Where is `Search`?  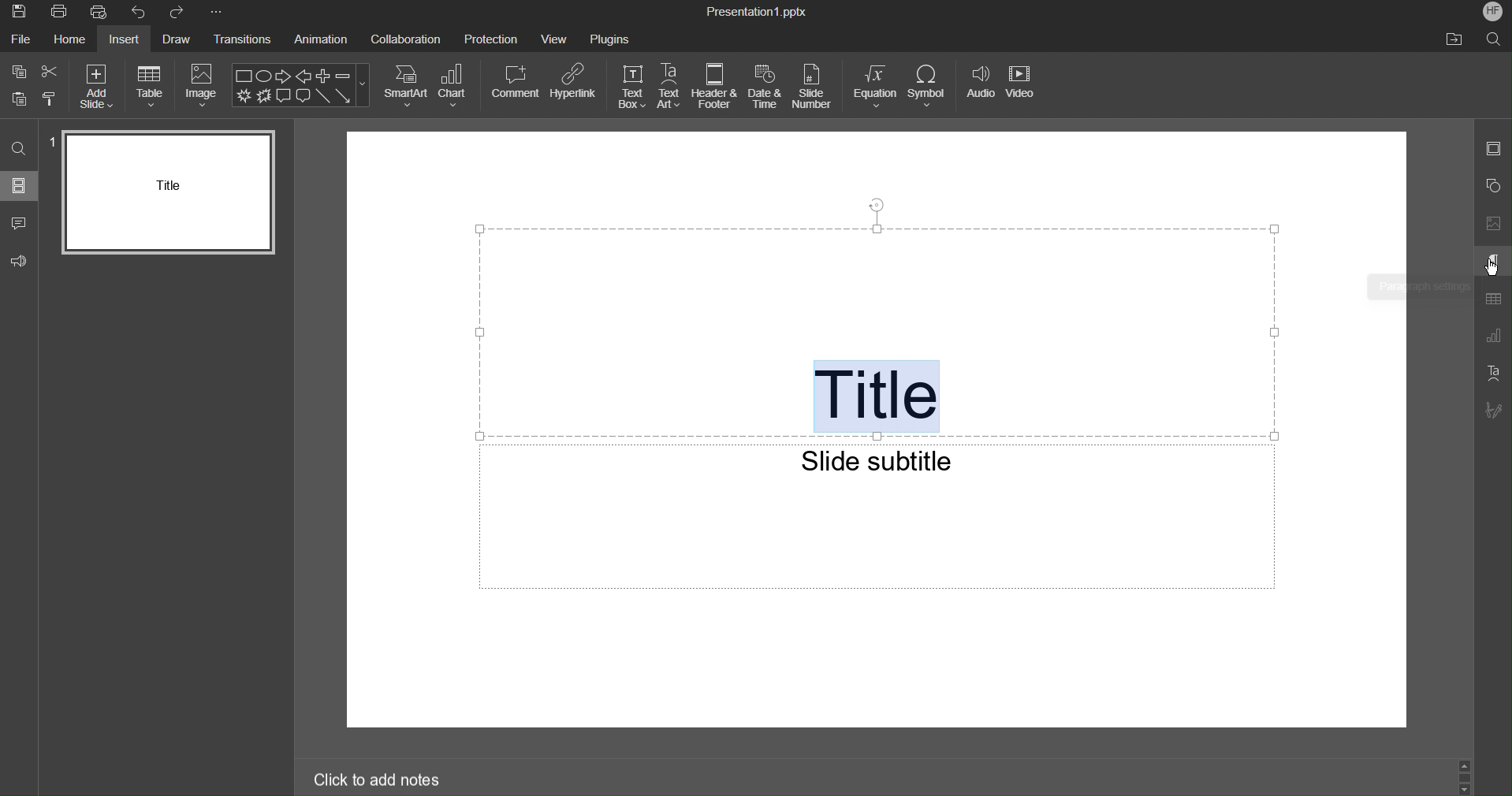
Search is located at coordinates (20, 149).